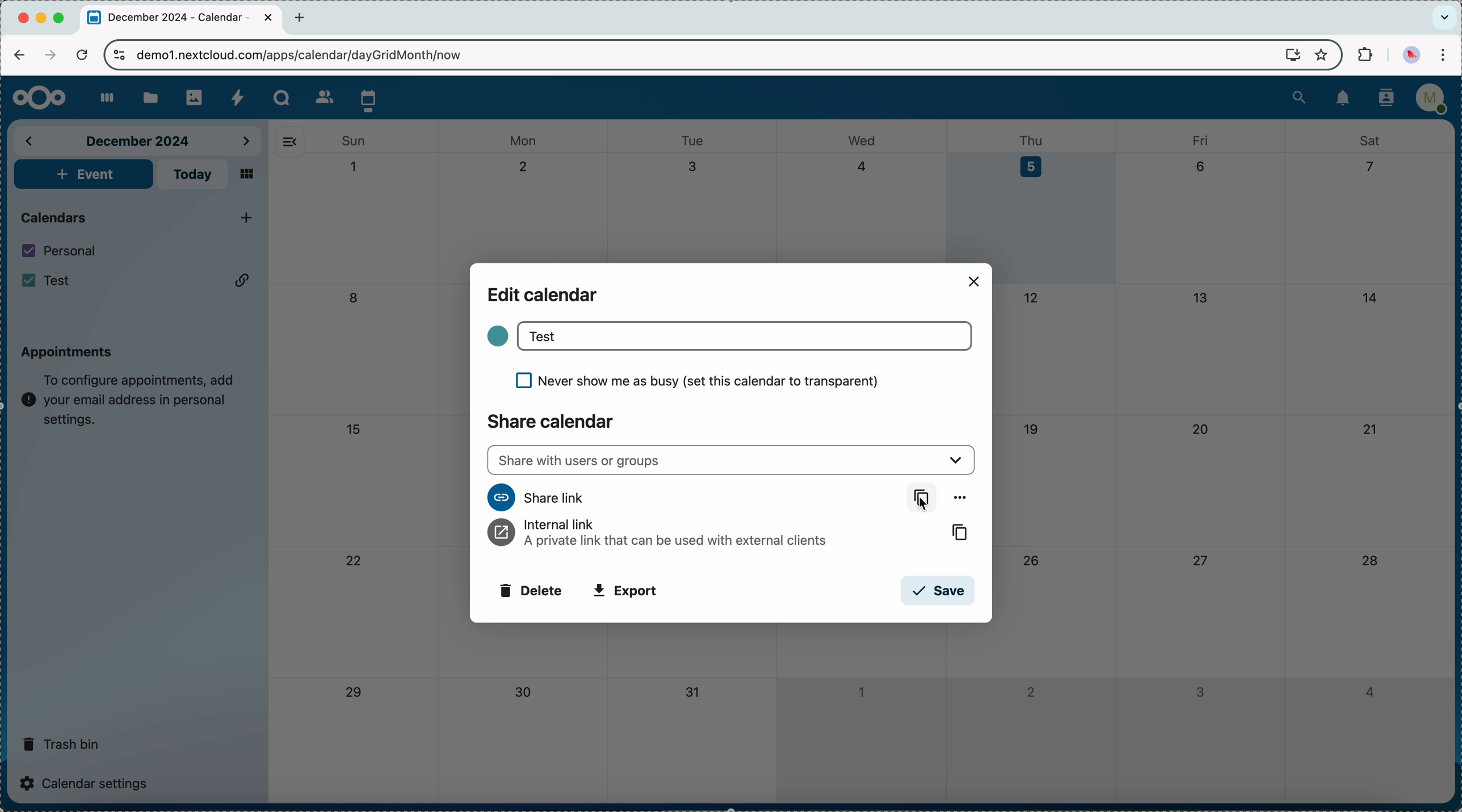 This screenshot has height=812, width=1462. What do you see at coordinates (1369, 562) in the screenshot?
I see `28` at bounding box center [1369, 562].